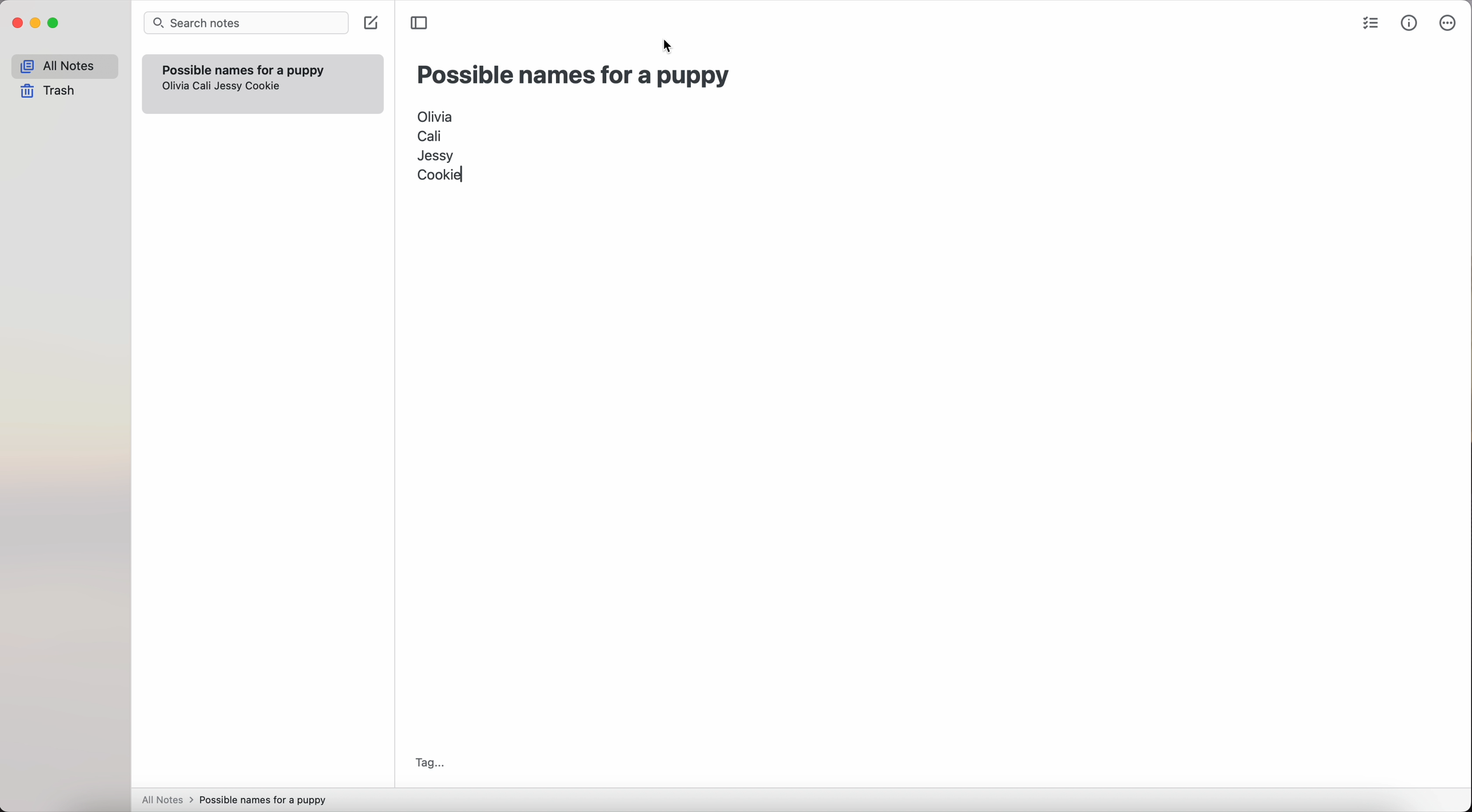 The image size is (1472, 812). Describe the element at coordinates (51, 91) in the screenshot. I see `trash` at that location.